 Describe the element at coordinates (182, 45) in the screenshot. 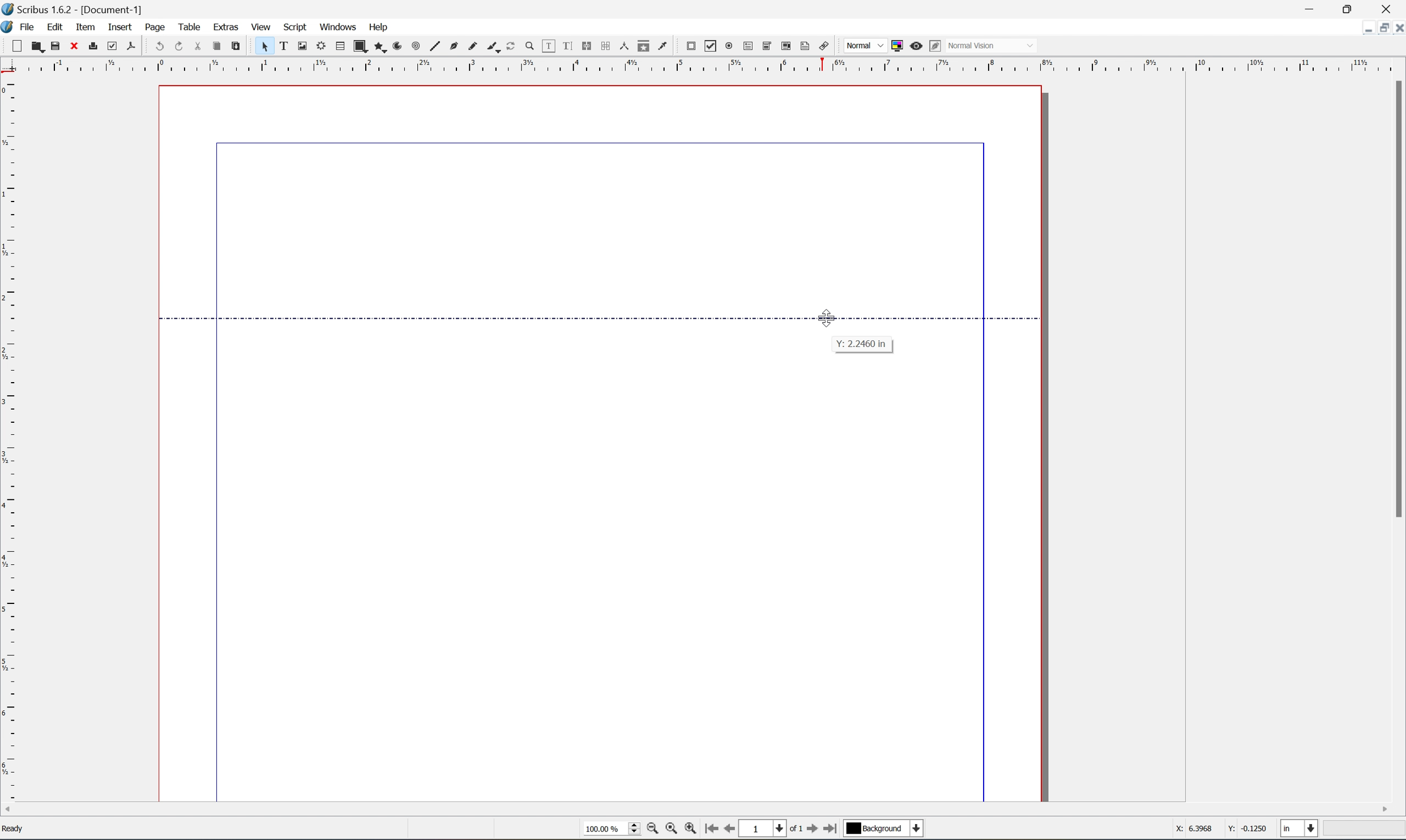

I see `redo` at that location.